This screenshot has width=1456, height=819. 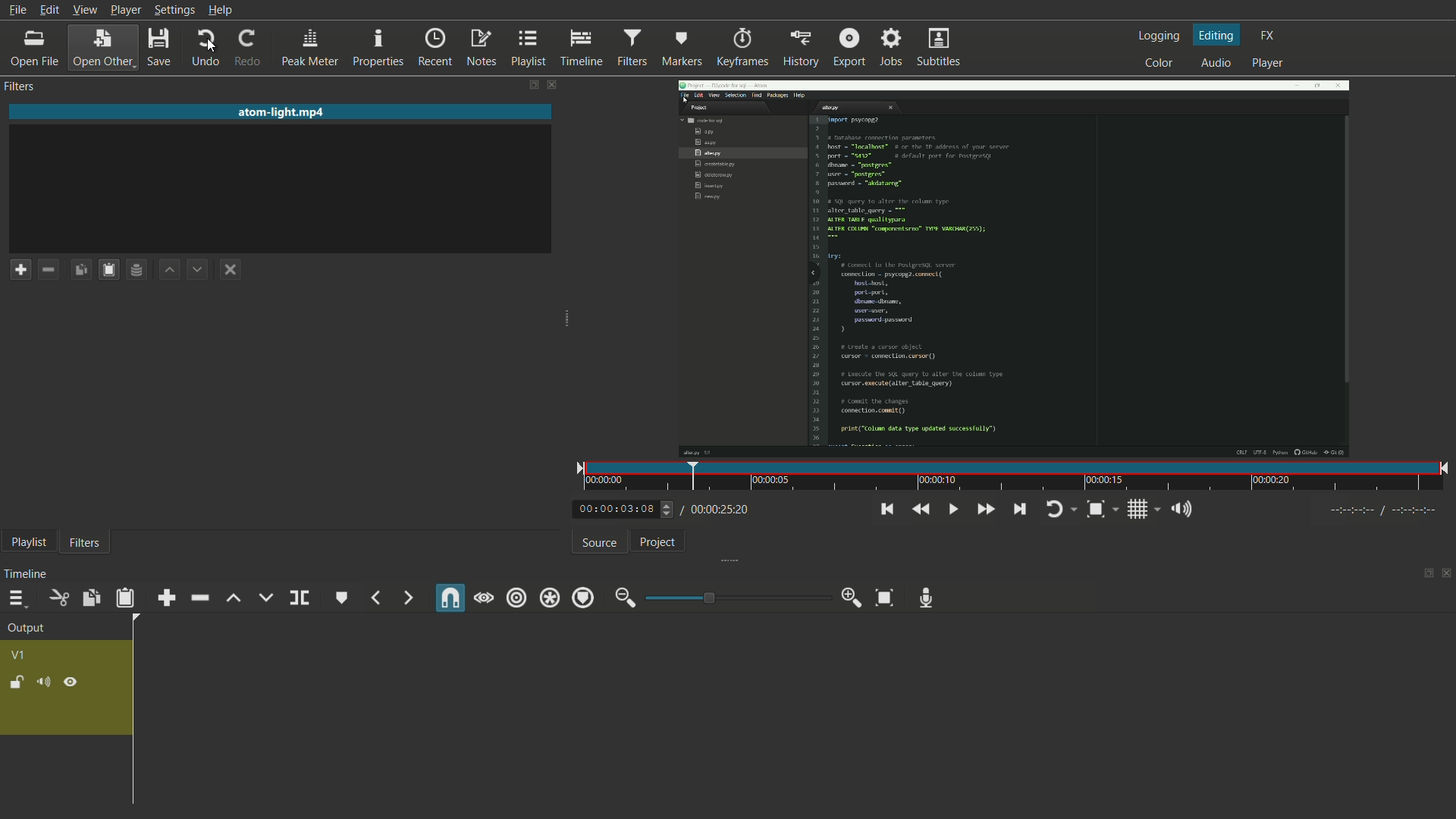 What do you see at coordinates (1271, 37) in the screenshot?
I see `fx` at bounding box center [1271, 37].